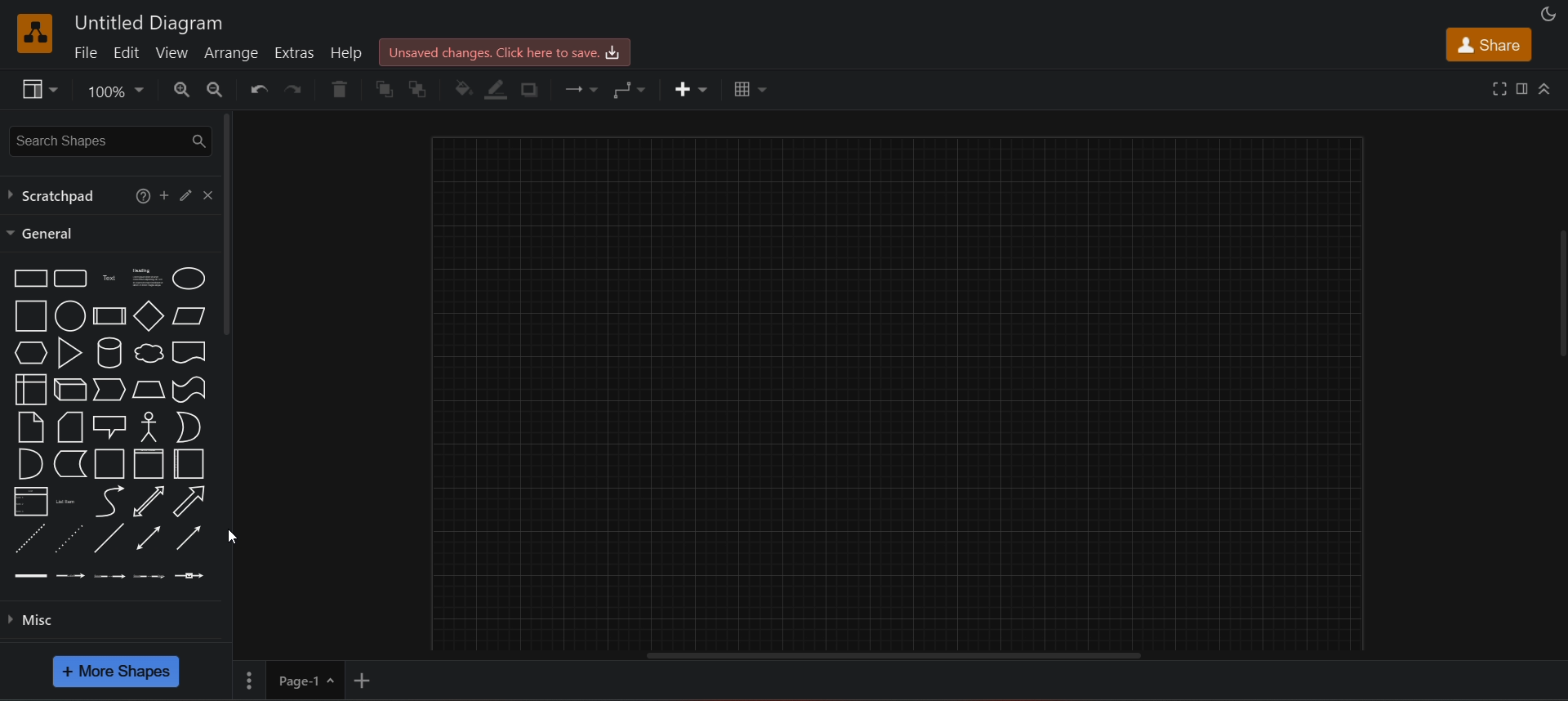 The width and height of the screenshot is (1568, 701). Describe the element at coordinates (340, 87) in the screenshot. I see `delete` at that location.